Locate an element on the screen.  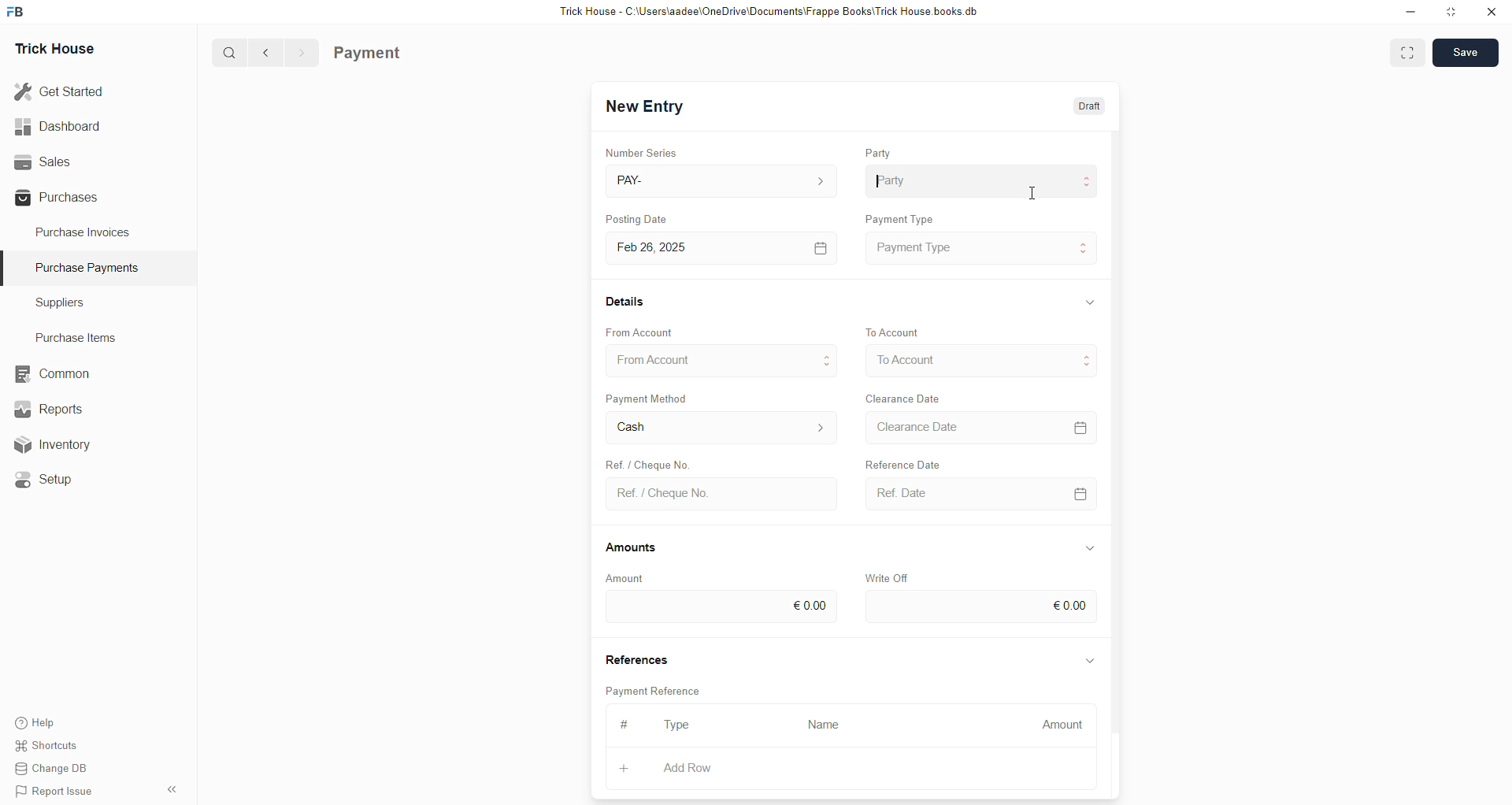
Sales is located at coordinates (45, 161).